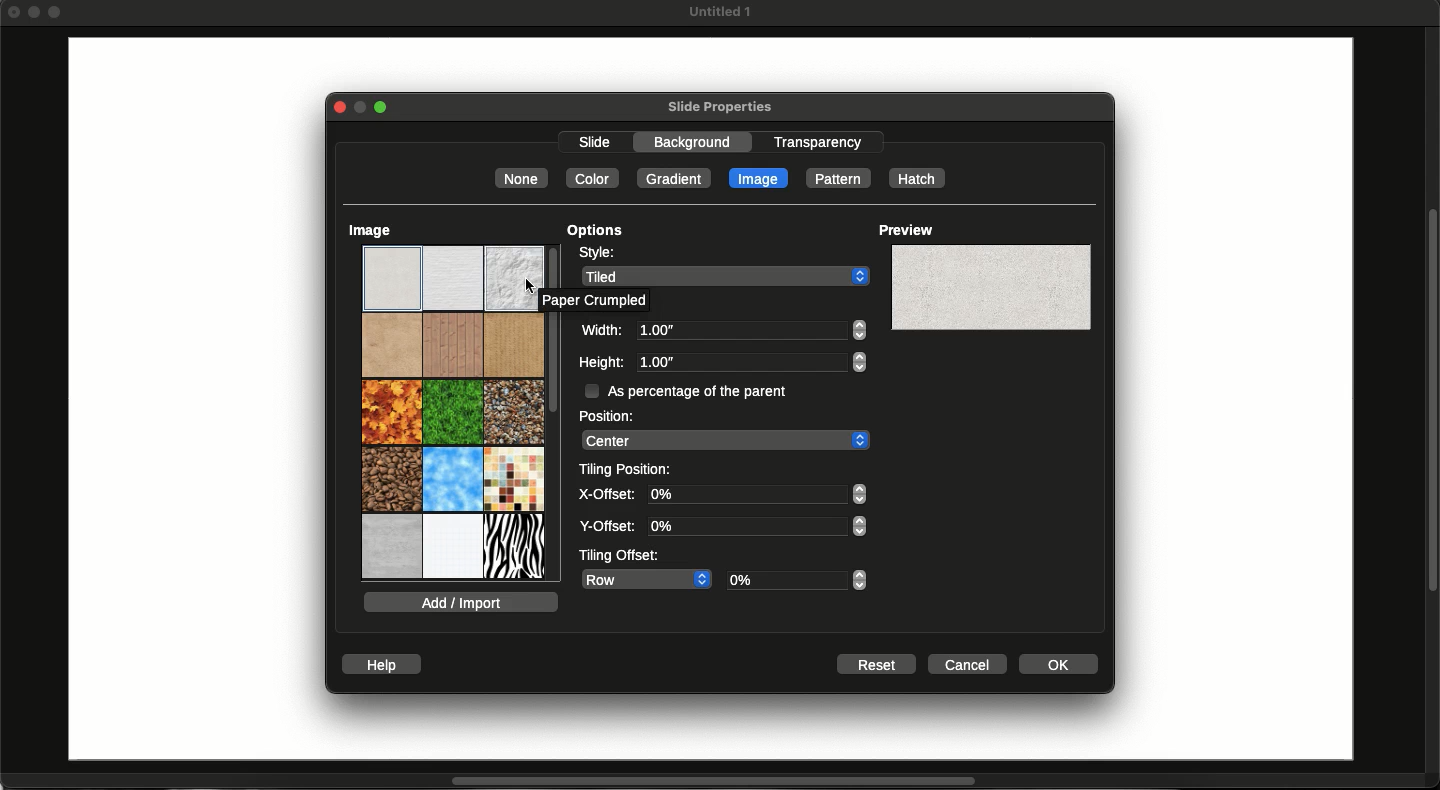 Image resolution: width=1440 pixels, height=790 pixels. I want to click on Transparency, so click(818, 141).